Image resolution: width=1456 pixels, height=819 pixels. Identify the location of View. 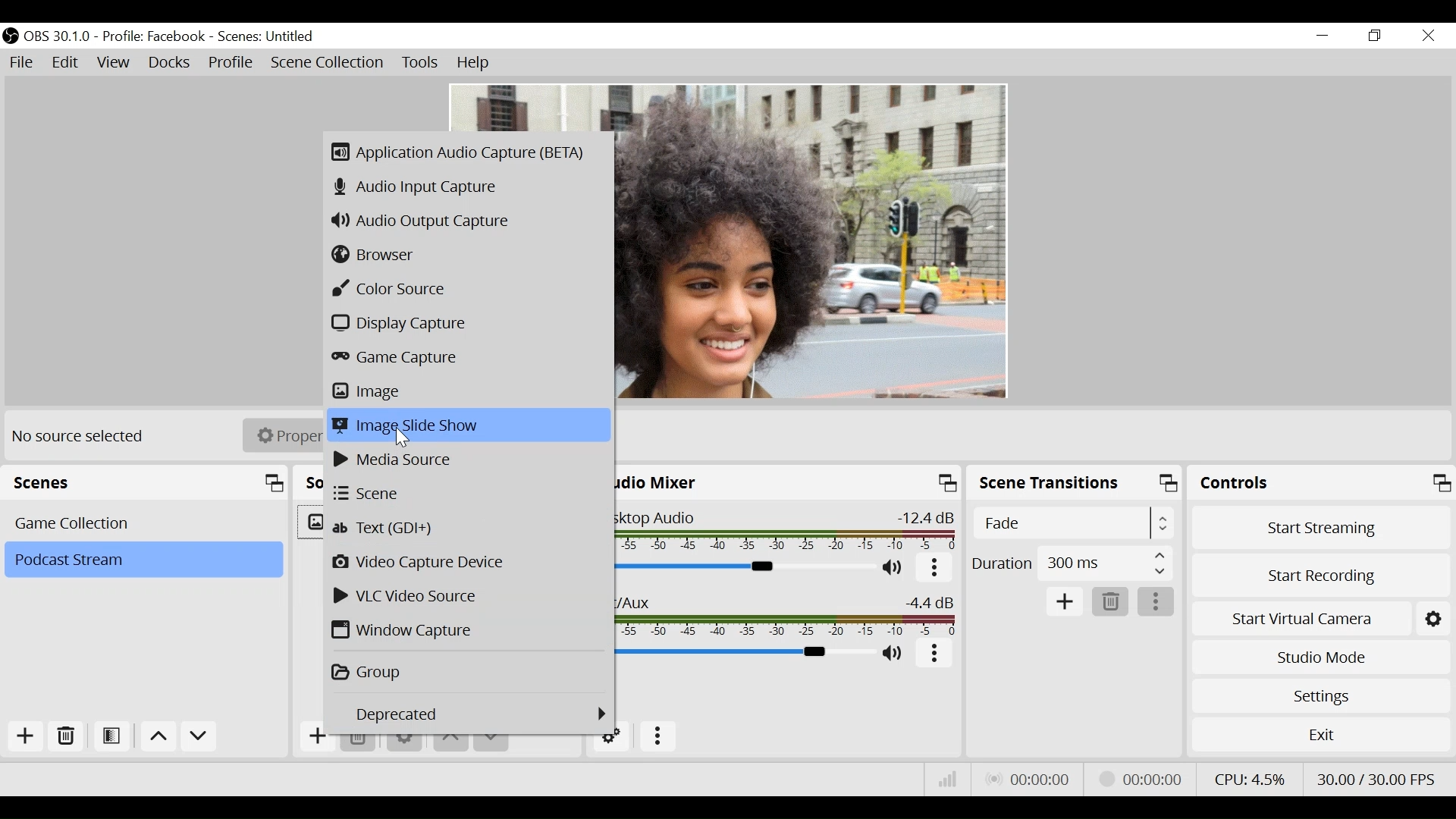
(116, 64).